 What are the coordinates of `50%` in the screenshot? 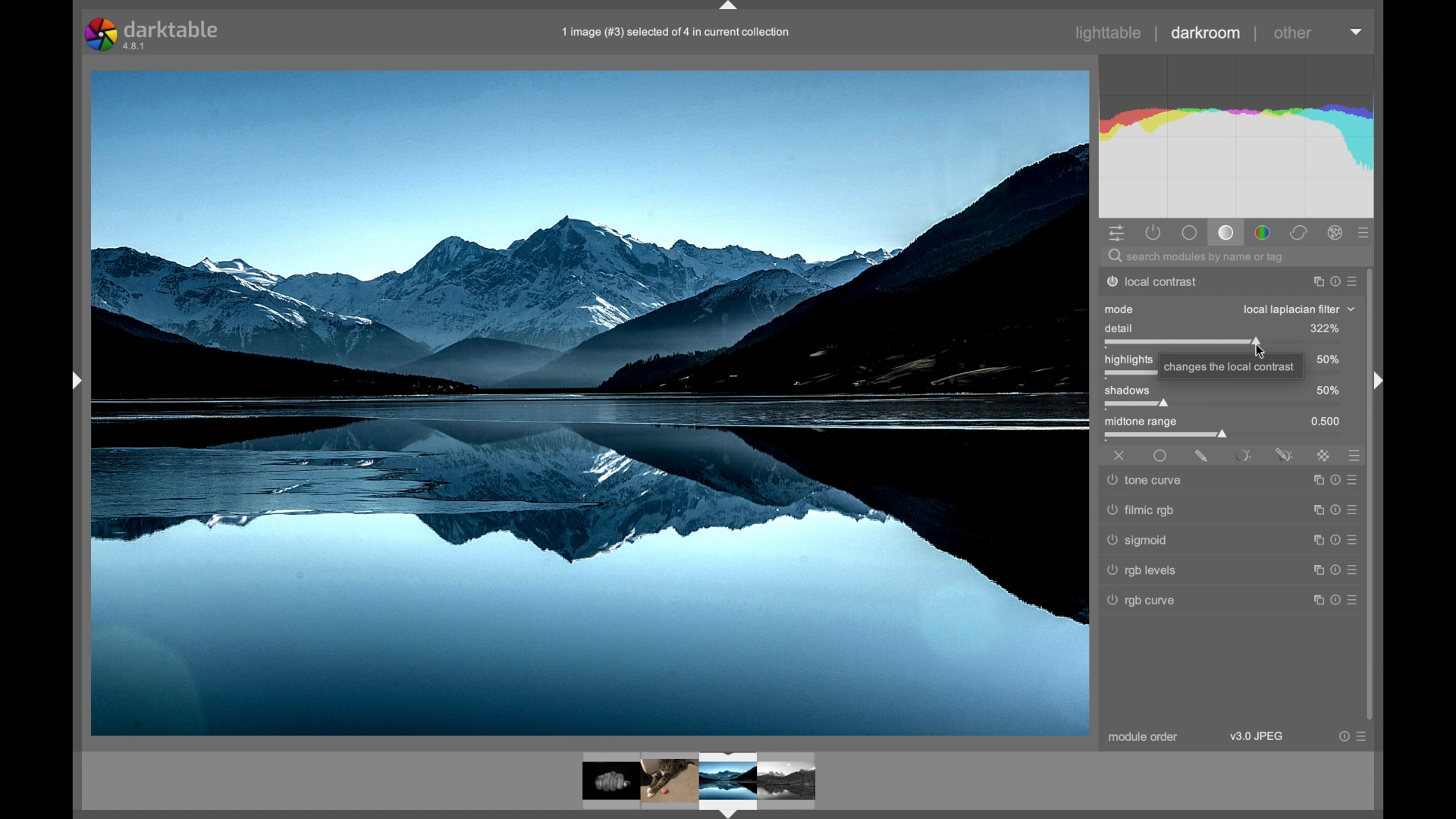 It's located at (1328, 391).